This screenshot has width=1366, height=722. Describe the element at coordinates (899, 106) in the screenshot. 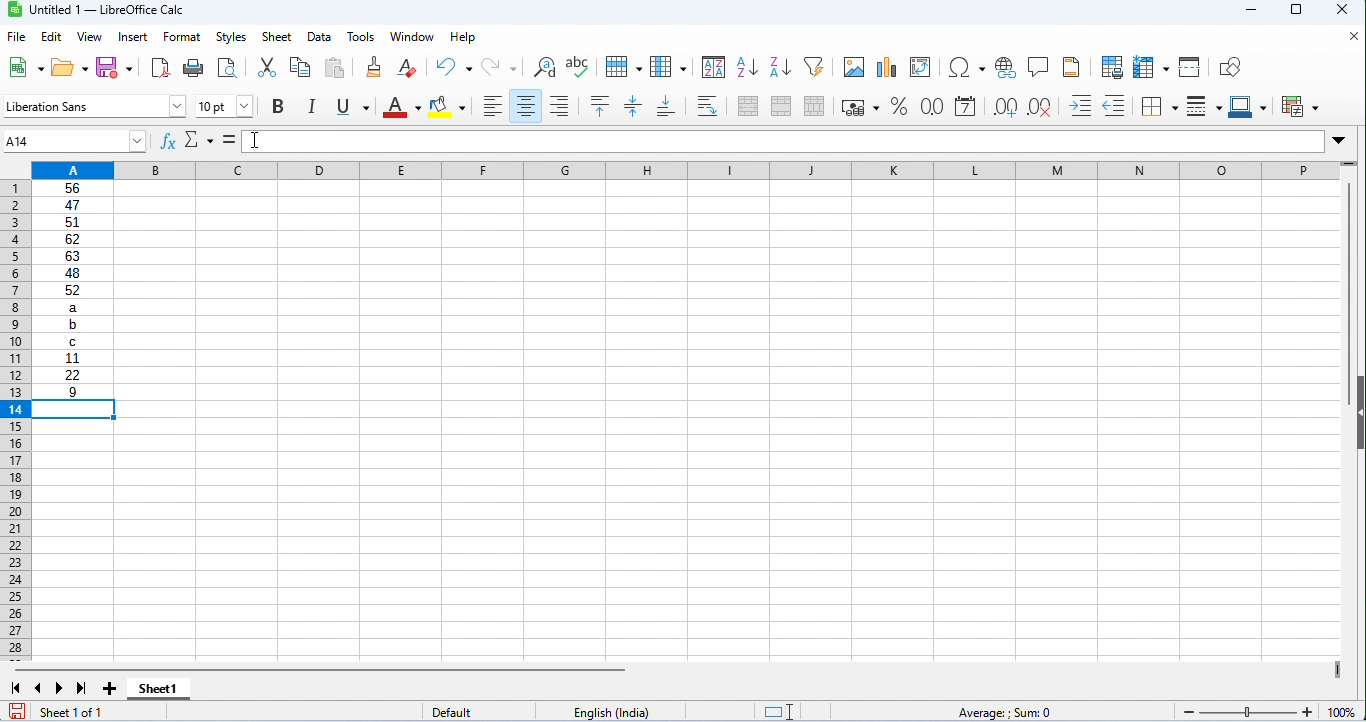

I see `format as percent` at that location.